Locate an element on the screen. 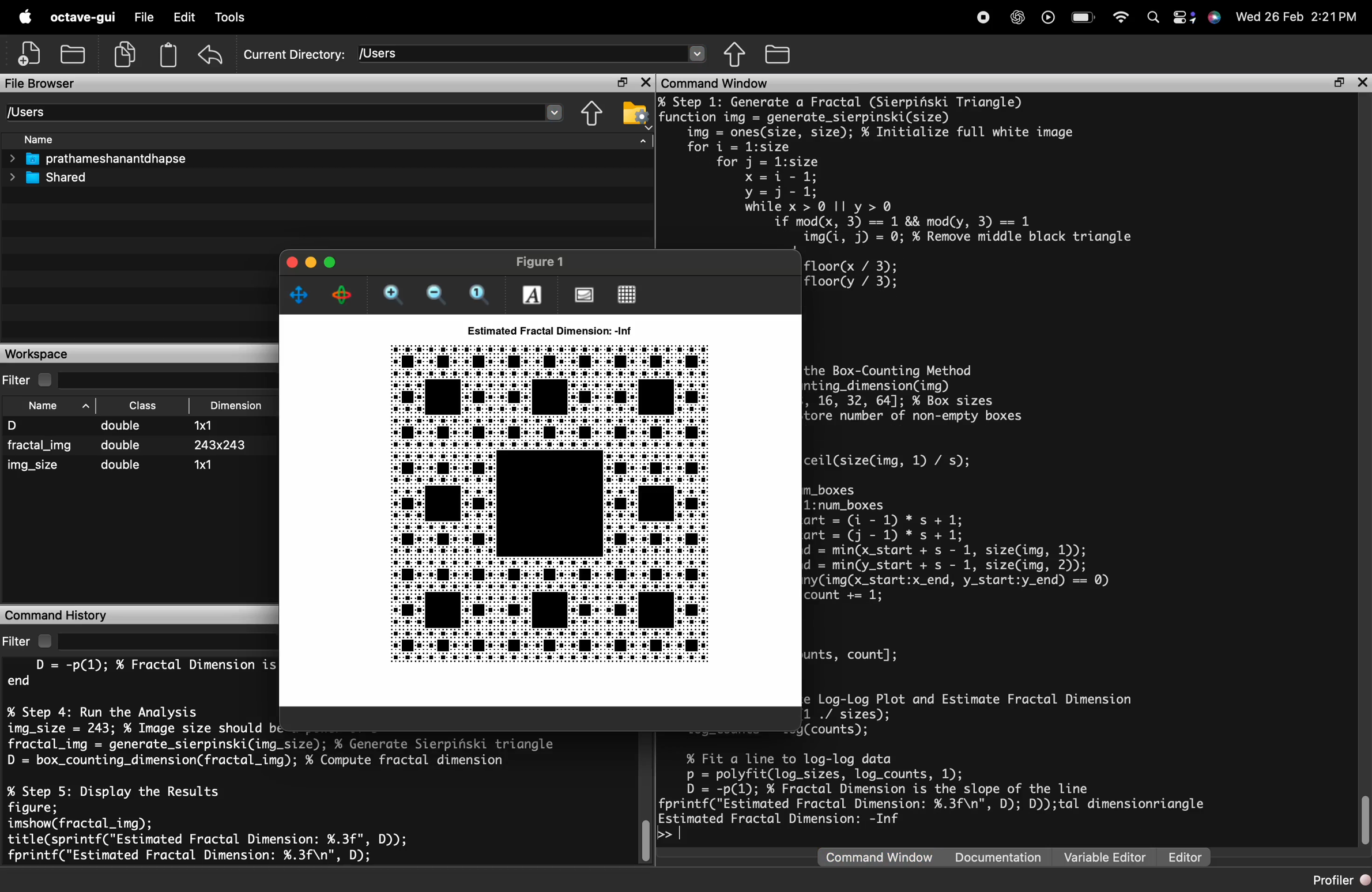 The image size is (1372, 892). browse your files is located at coordinates (635, 114).